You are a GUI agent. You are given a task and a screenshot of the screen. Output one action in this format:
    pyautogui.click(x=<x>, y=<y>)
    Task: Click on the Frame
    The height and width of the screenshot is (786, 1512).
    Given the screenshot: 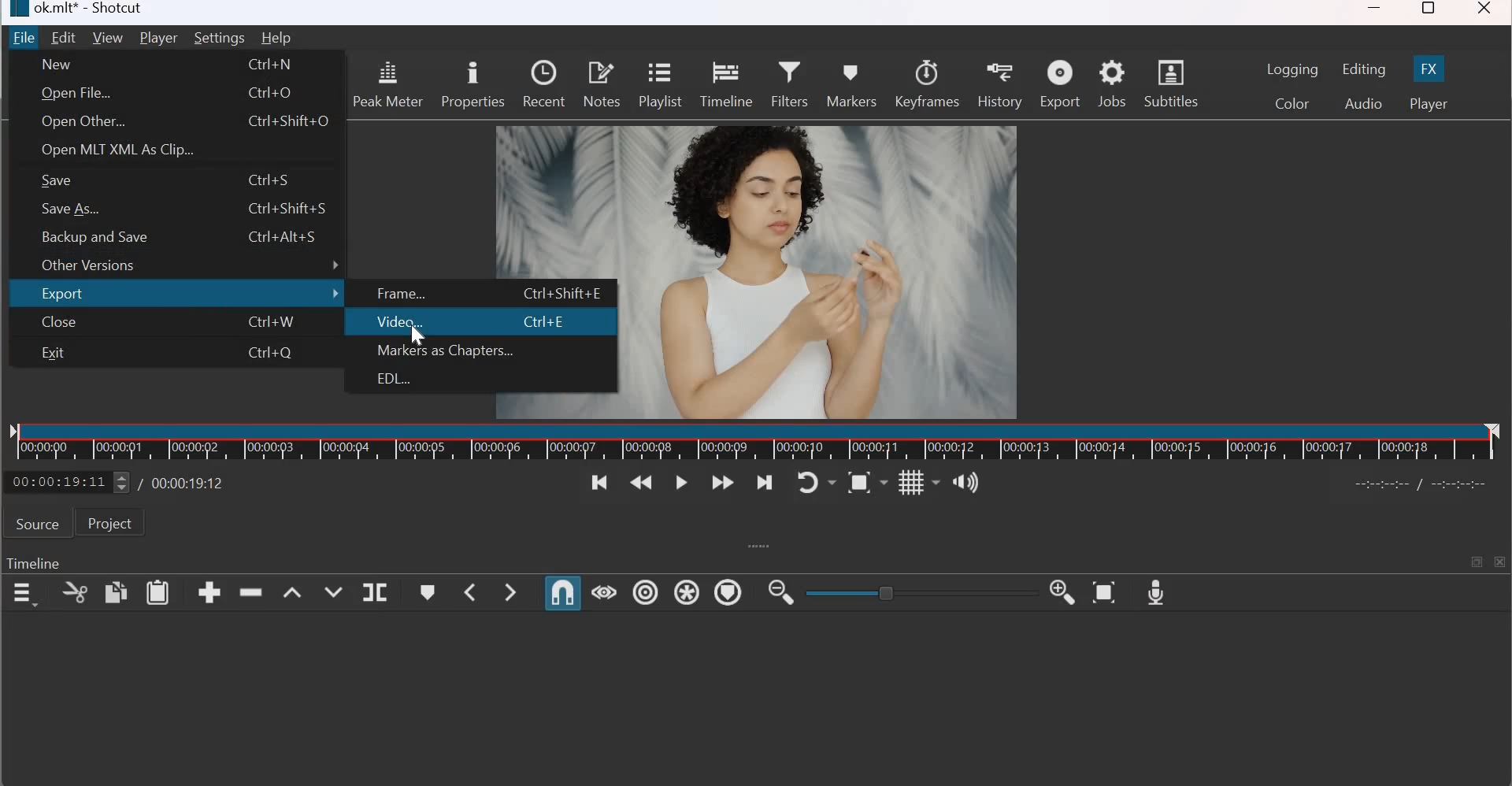 What is the action you would take?
    pyautogui.click(x=403, y=294)
    